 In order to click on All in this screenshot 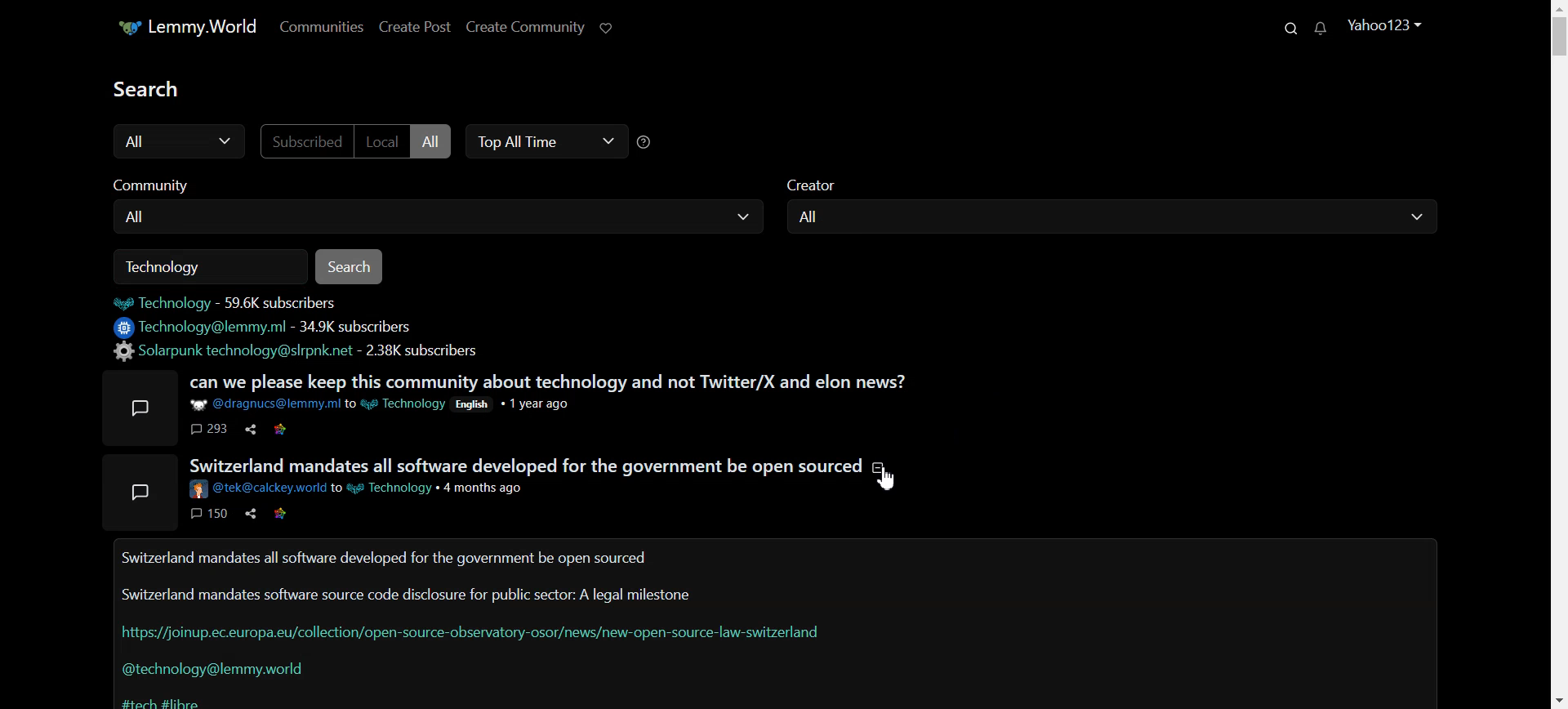, I will do `click(1113, 218)`.